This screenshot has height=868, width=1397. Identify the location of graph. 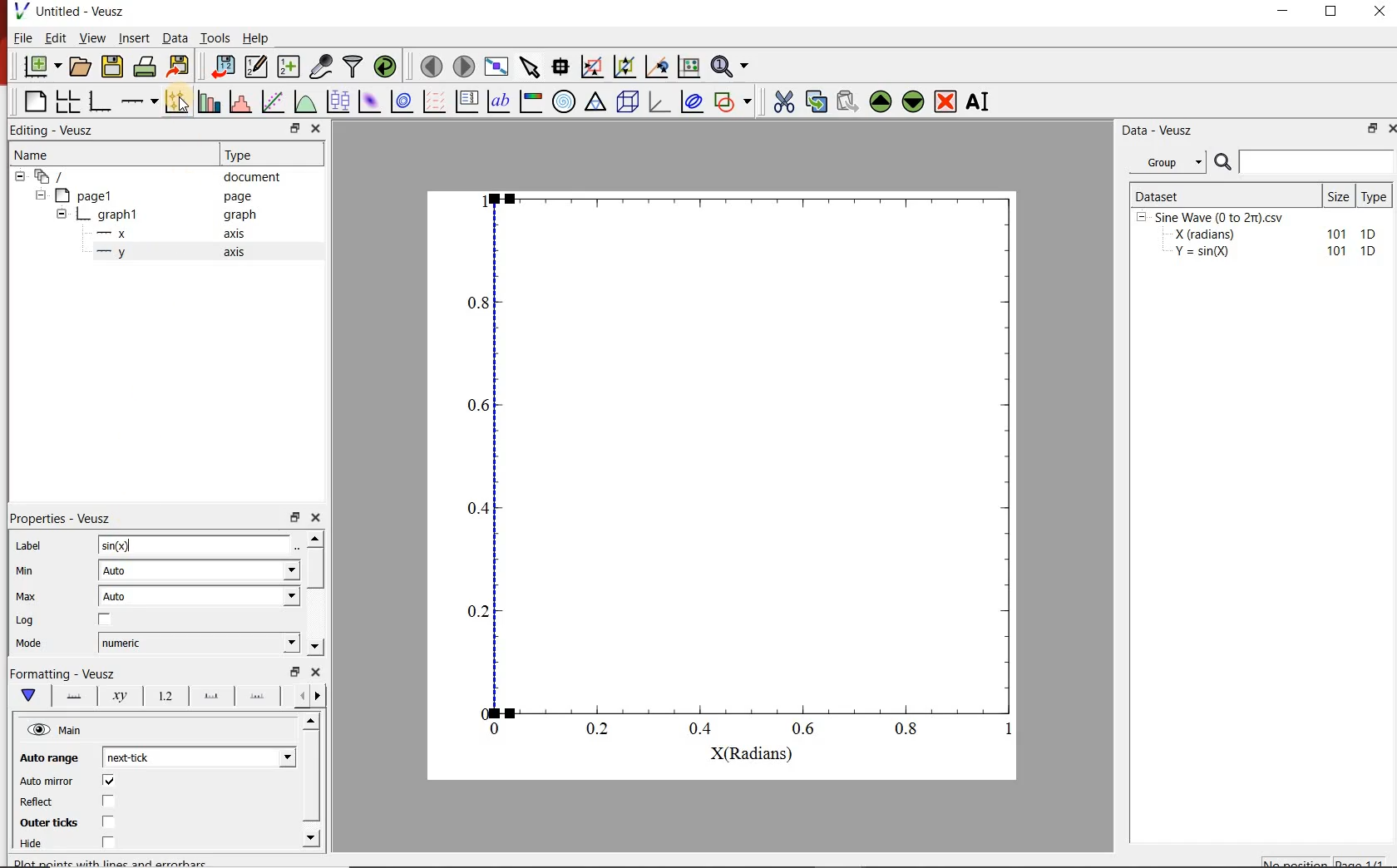
(238, 214).